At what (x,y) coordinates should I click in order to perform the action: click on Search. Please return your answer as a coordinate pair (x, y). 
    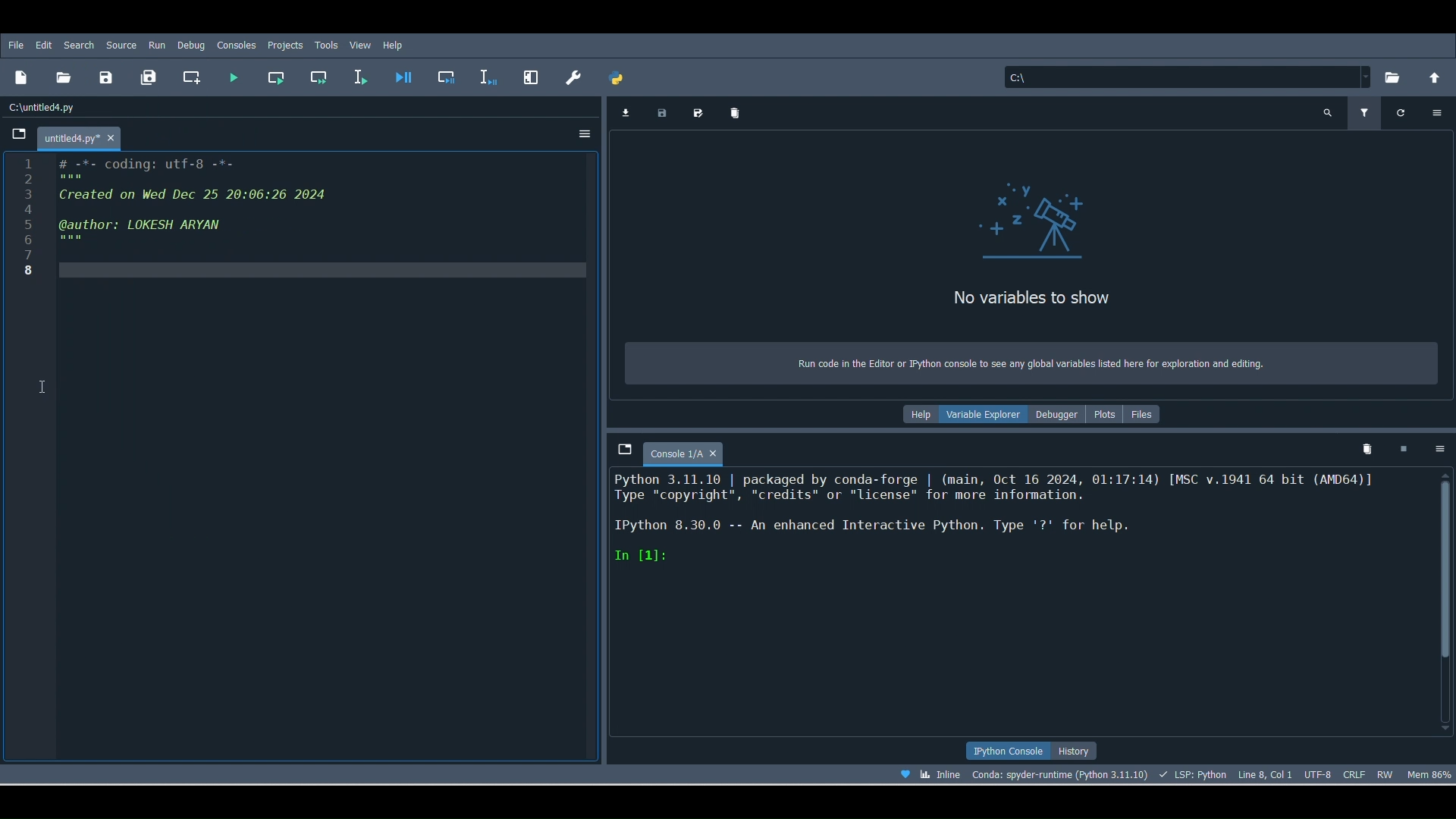
    Looking at the image, I should click on (79, 43).